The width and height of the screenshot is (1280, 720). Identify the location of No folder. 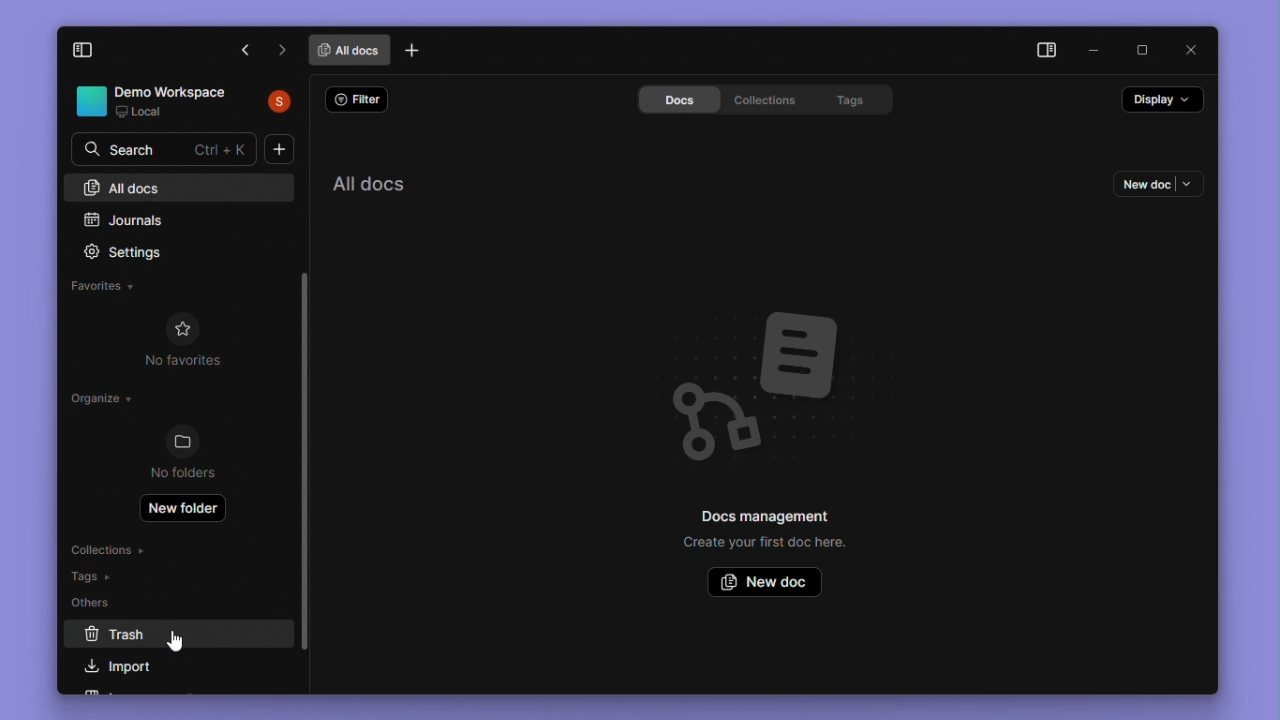
(189, 456).